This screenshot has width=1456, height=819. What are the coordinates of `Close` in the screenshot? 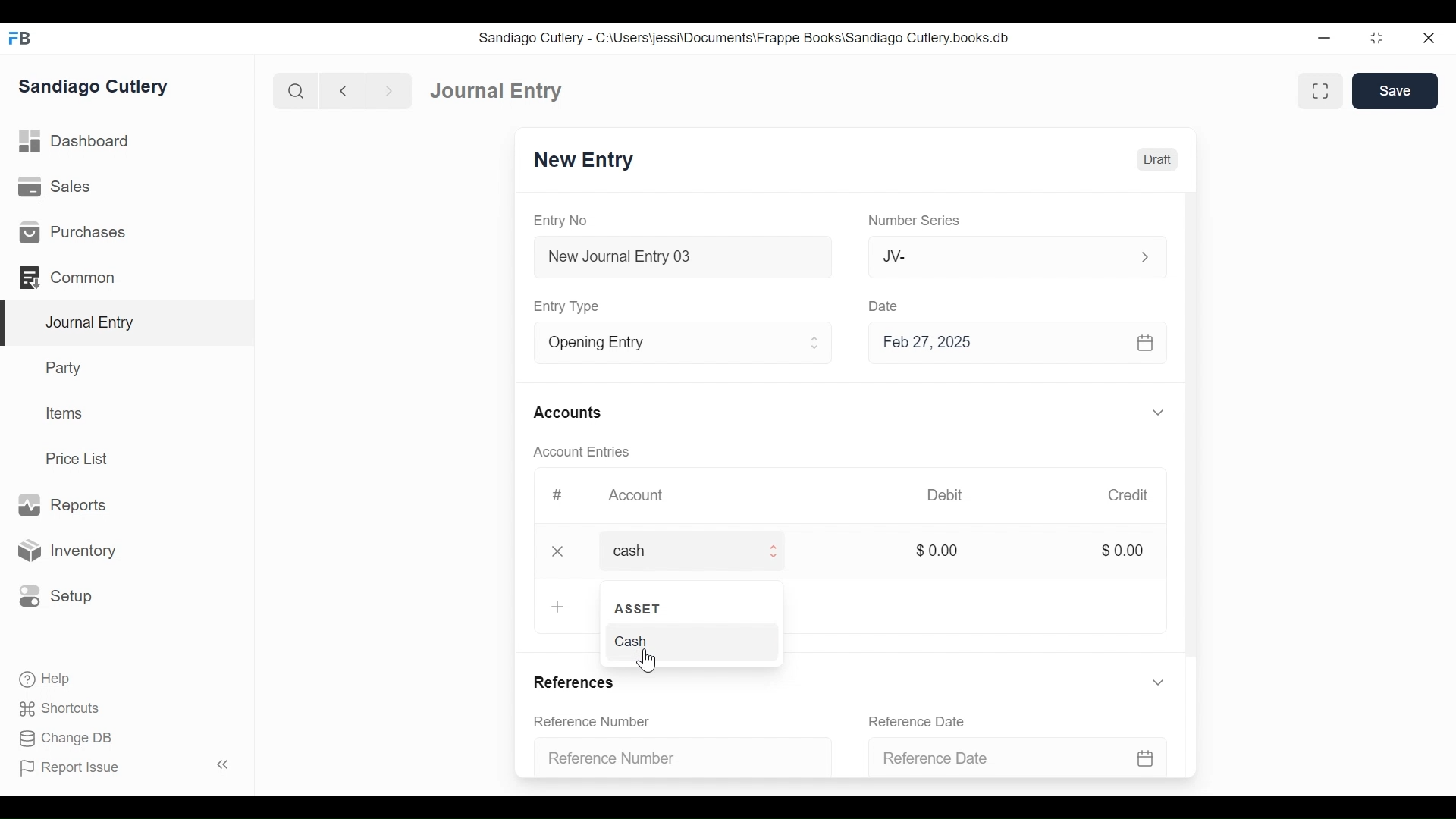 It's located at (1427, 38).